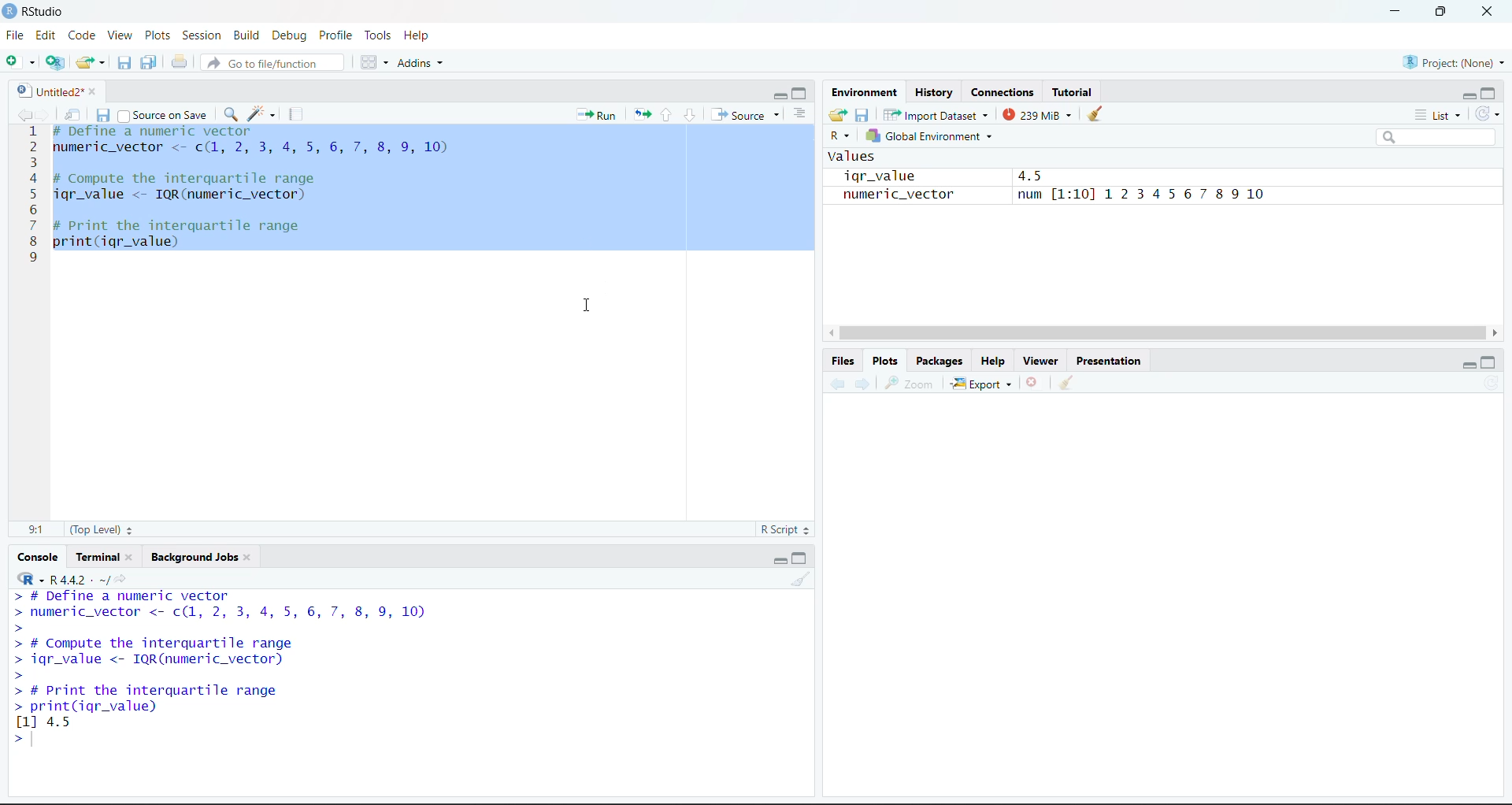 Image resolution: width=1512 pixels, height=805 pixels. What do you see at coordinates (838, 117) in the screenshot?
I see `Load workspace` at bounding box center [838, 117].